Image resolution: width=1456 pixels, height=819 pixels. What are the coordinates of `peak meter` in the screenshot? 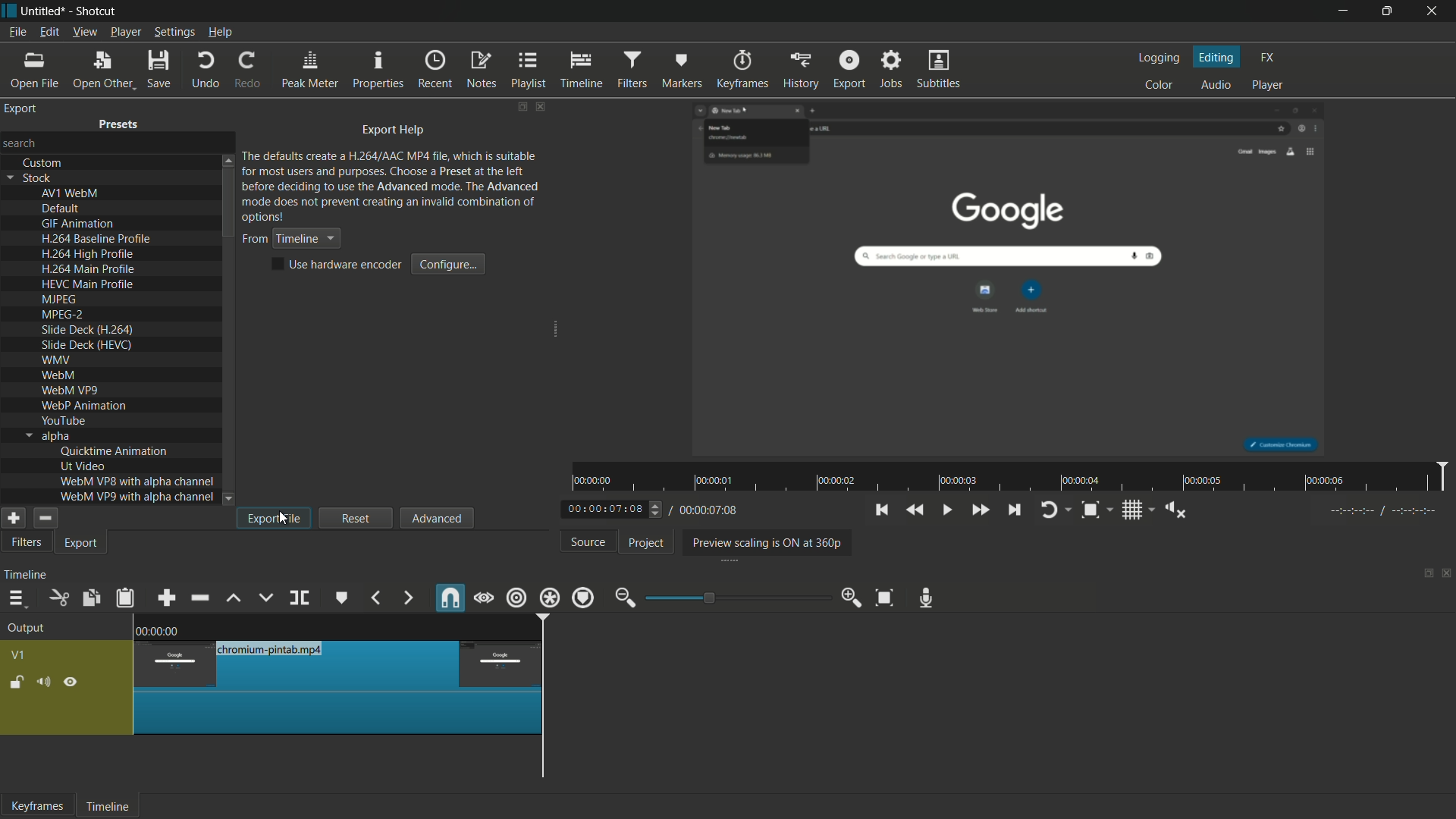 It's located at (309, 71).